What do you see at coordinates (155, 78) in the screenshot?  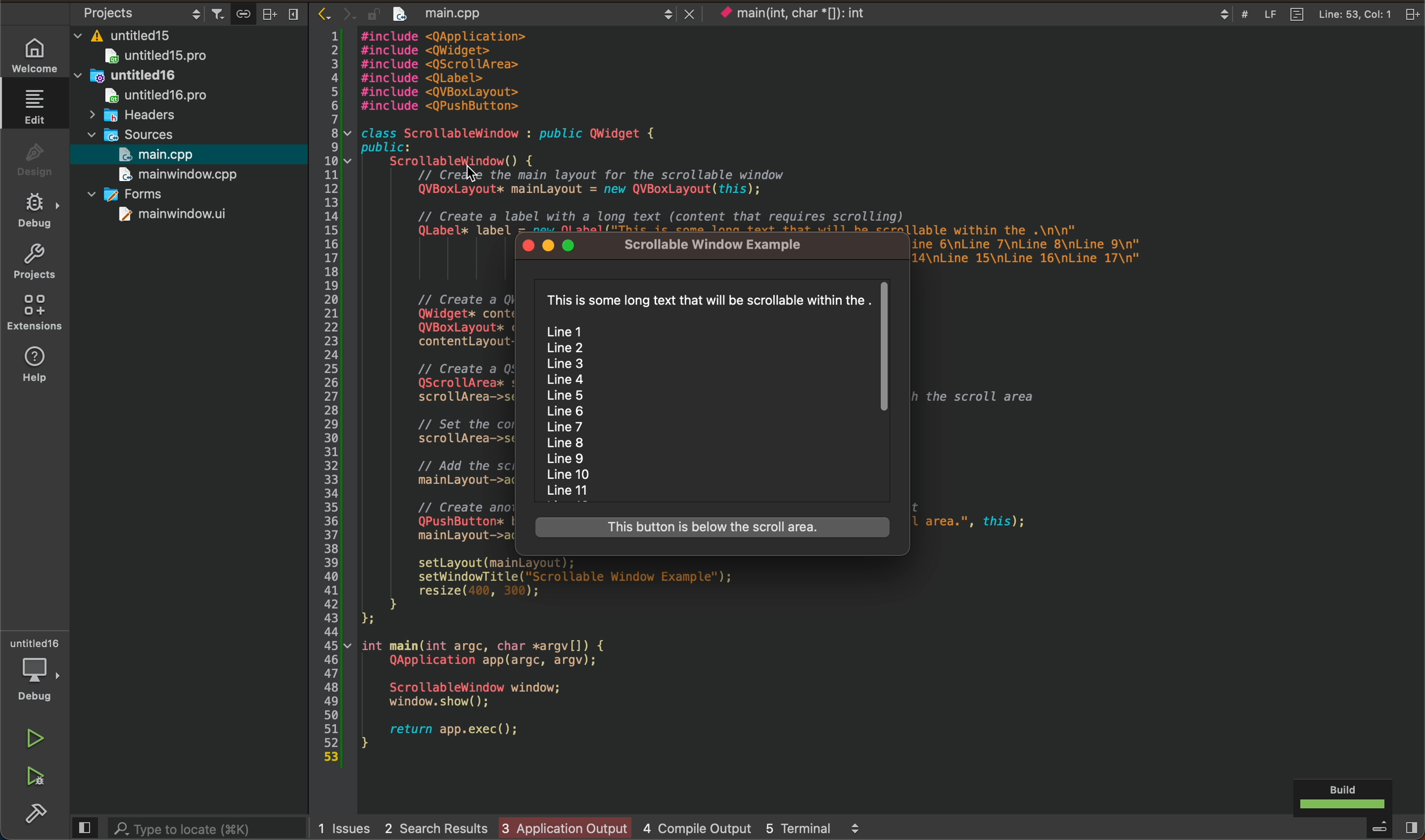 I see `untitled16` at bounding box center [155, 78].